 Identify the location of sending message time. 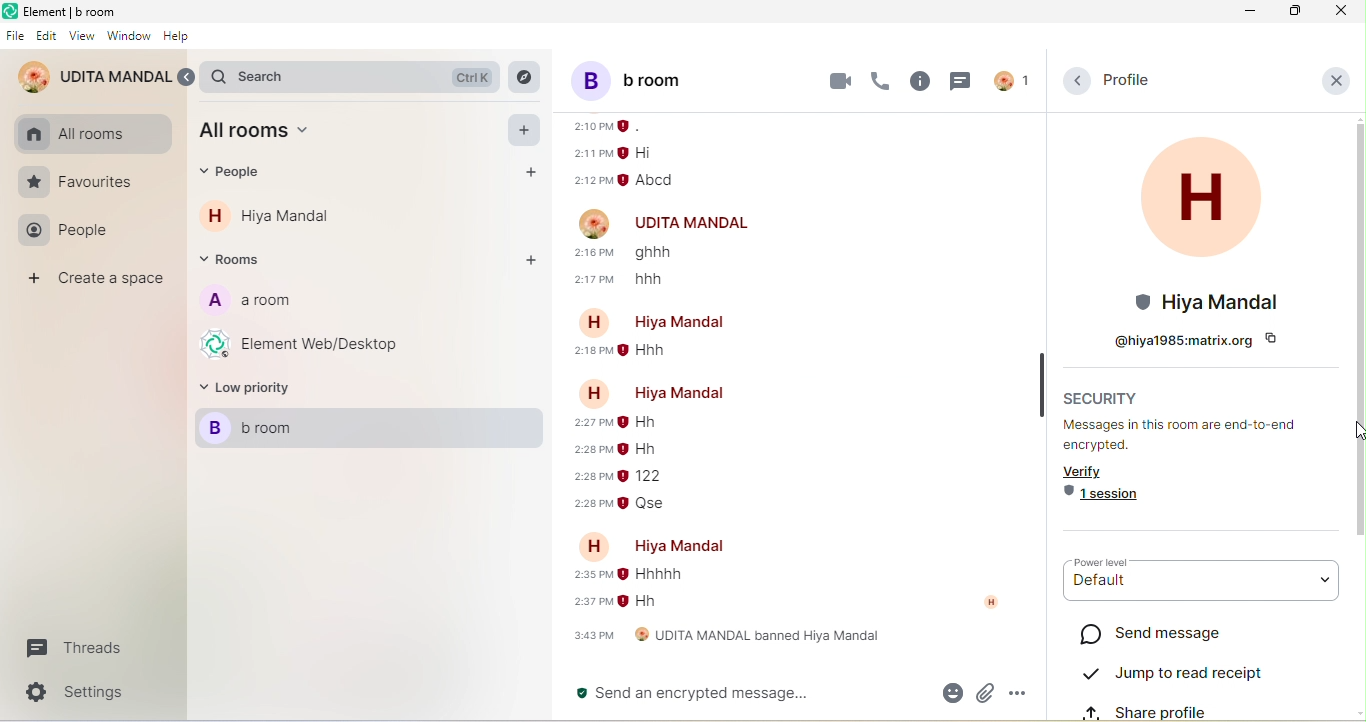
(591, 426).